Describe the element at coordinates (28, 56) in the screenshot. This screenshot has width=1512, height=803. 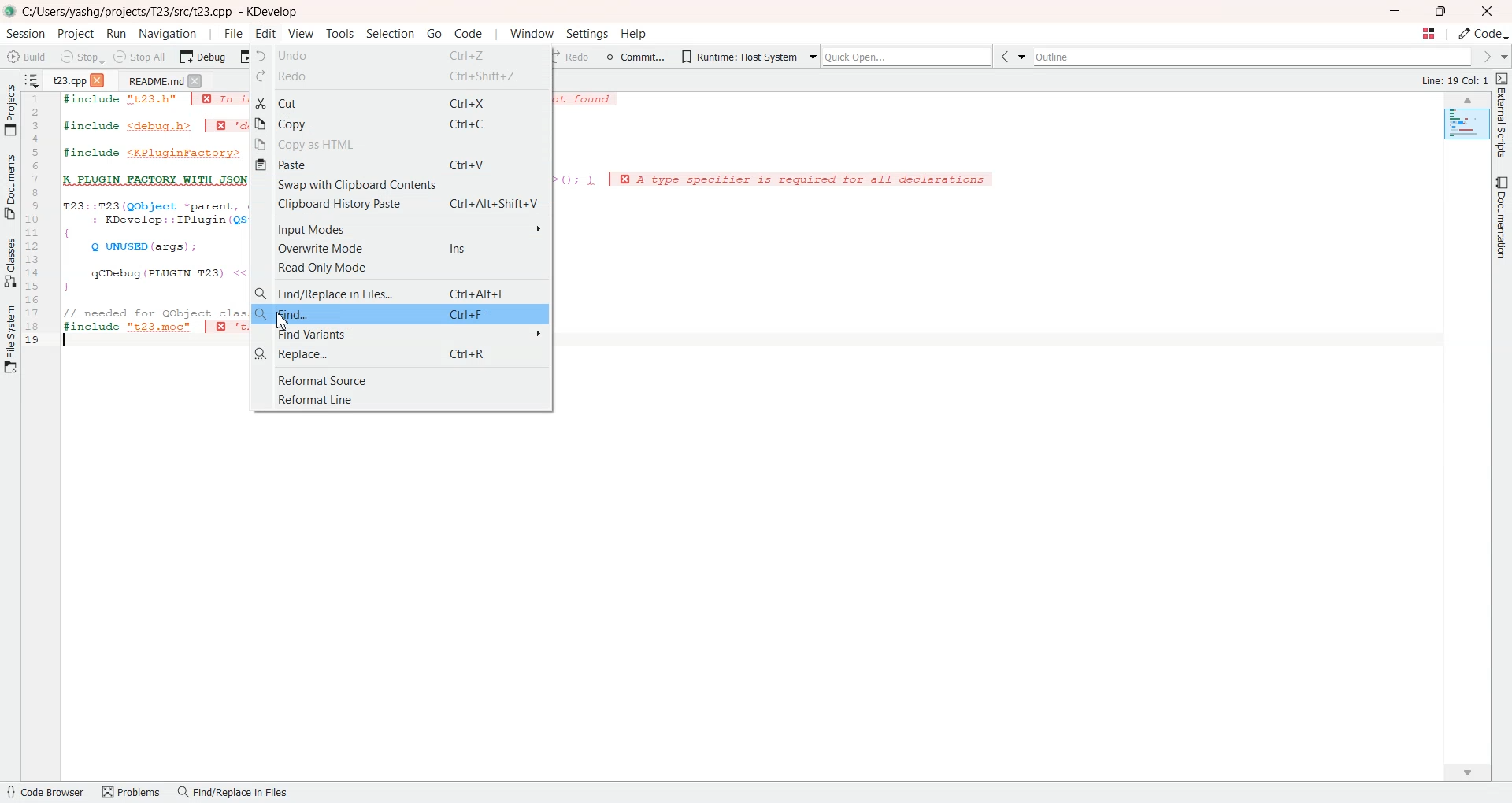
I see `Build` at that location.